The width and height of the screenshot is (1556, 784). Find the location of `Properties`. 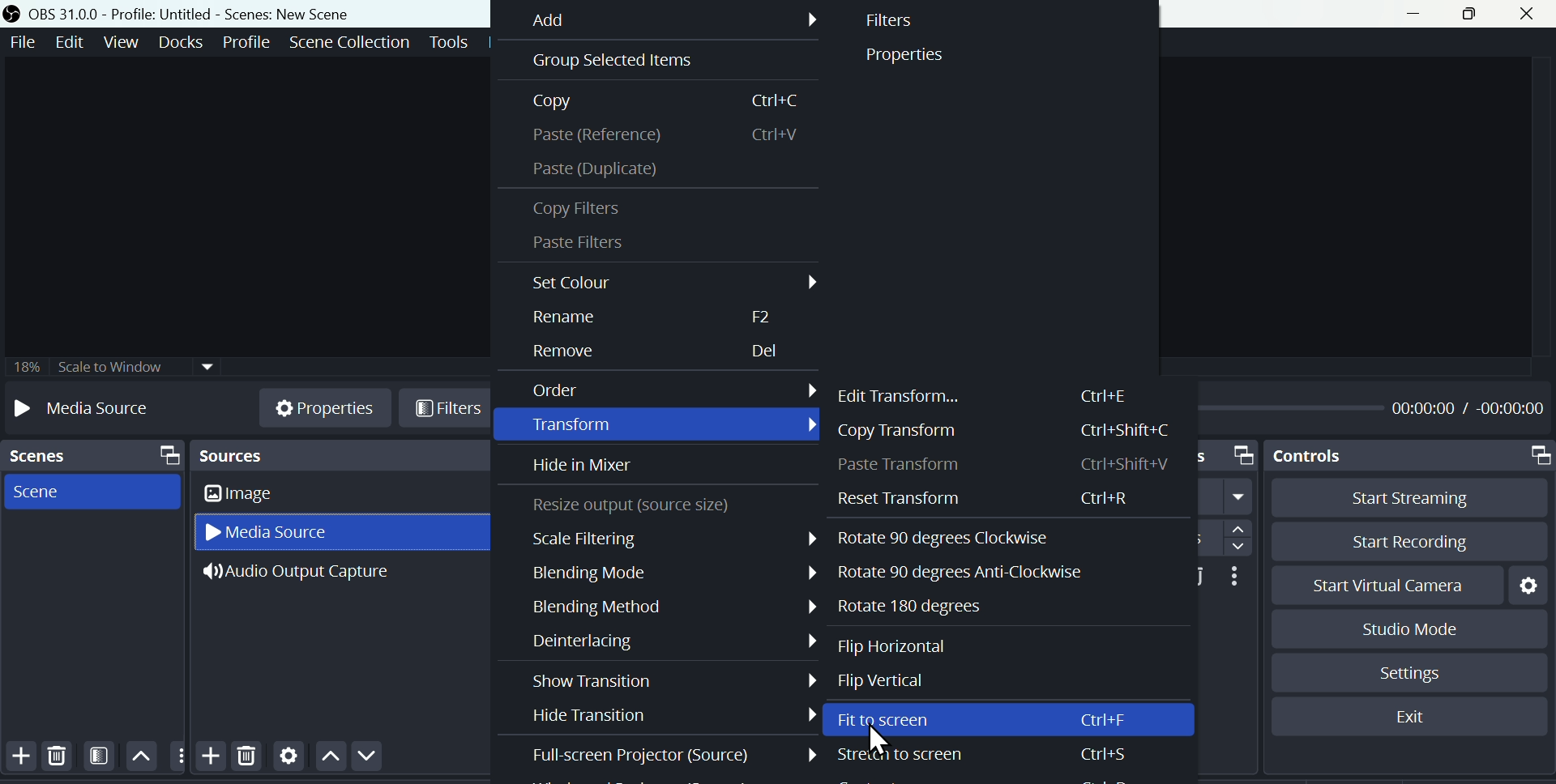

Properties is located at coordinates (325, 404).